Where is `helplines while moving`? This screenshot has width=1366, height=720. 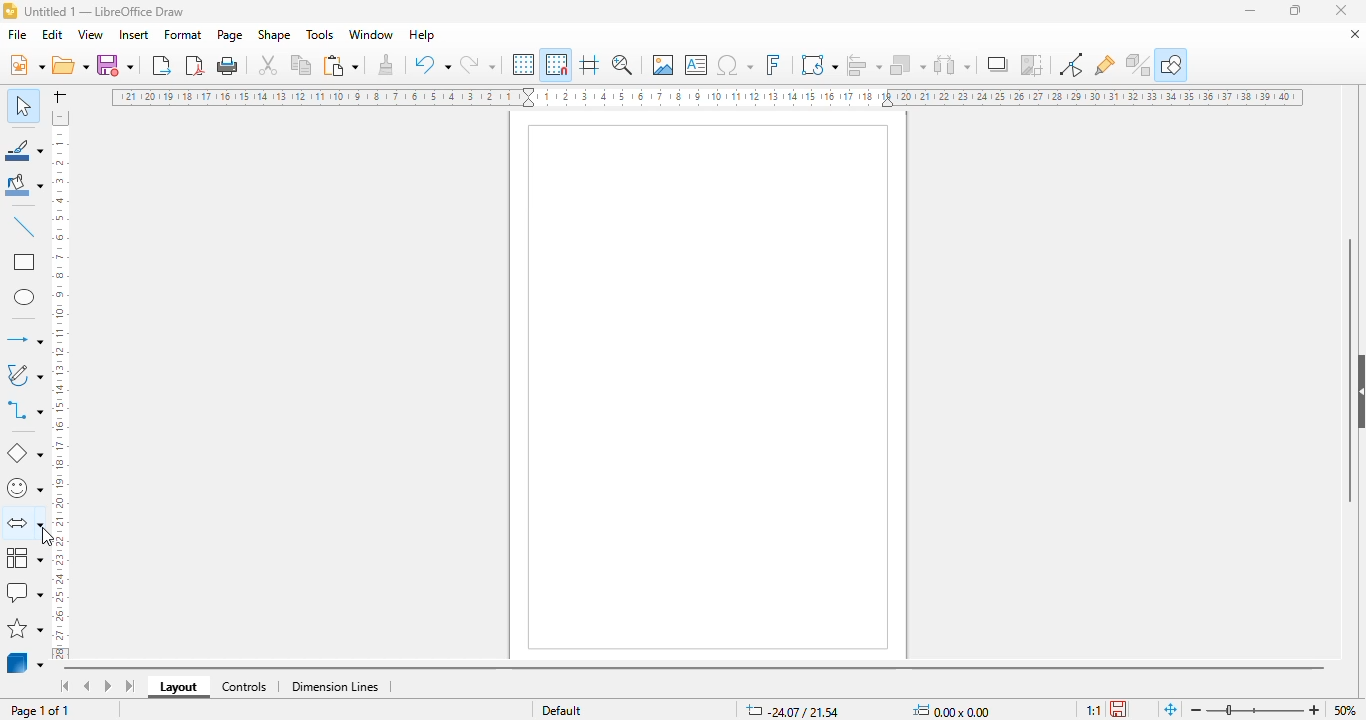 helplines while moving is located at coordinates (590, 64).